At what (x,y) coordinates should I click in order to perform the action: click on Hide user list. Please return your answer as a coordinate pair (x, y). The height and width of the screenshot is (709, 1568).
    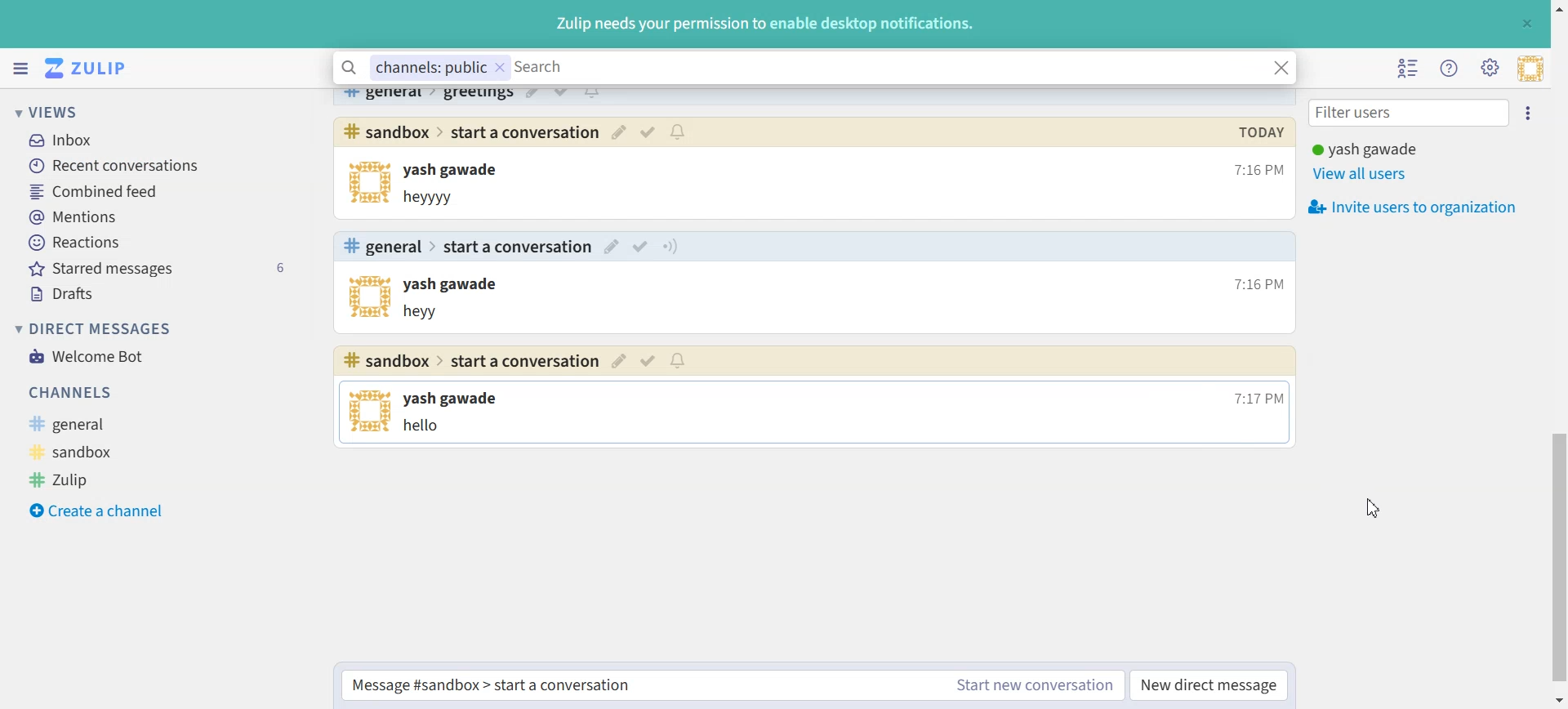
    Looking at the image, I should click on (1410, 69).